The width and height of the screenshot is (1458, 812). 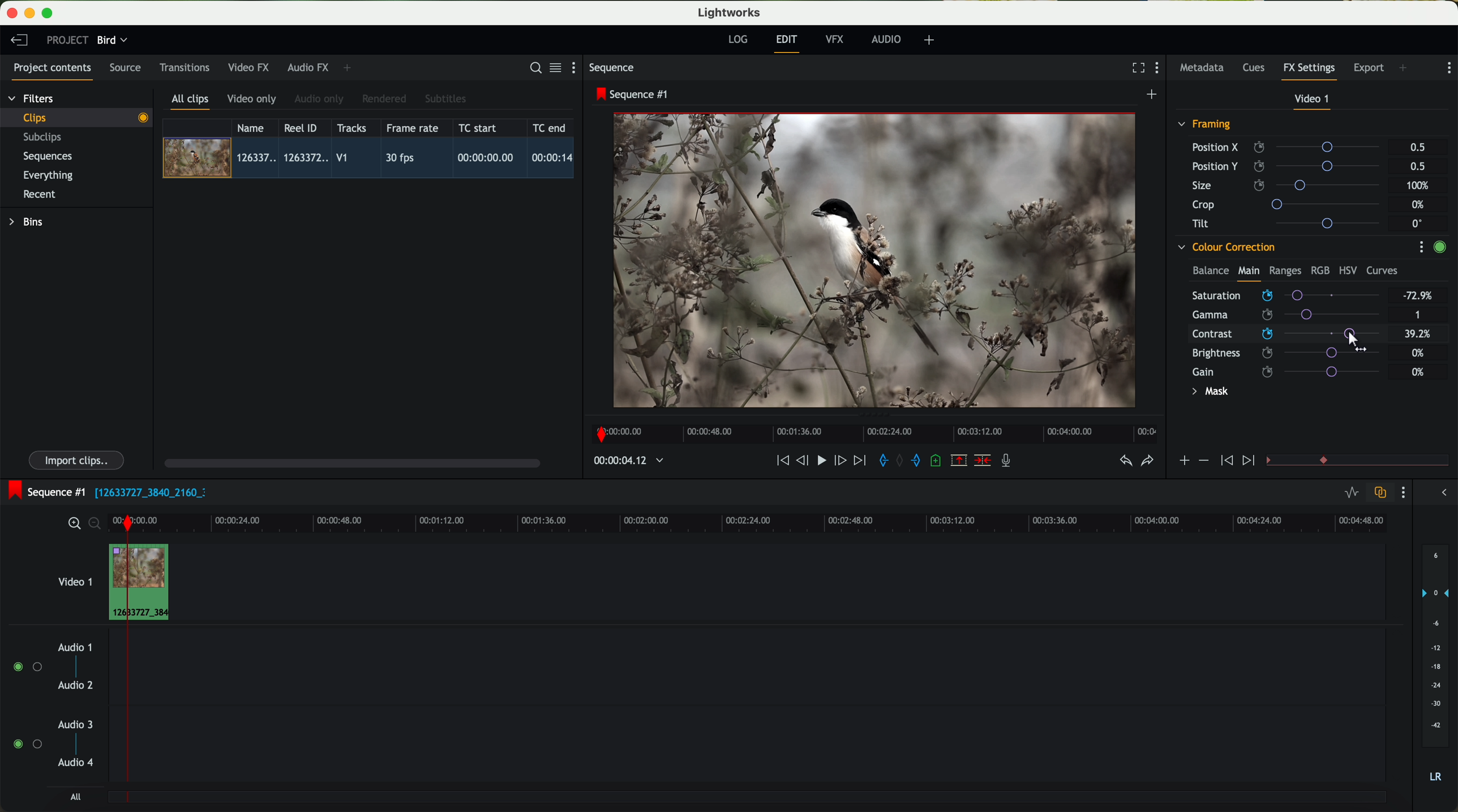 What do you see at coordinates (12, 13) in the screenshot?
I see `close program` at bounding box center [12, 13].